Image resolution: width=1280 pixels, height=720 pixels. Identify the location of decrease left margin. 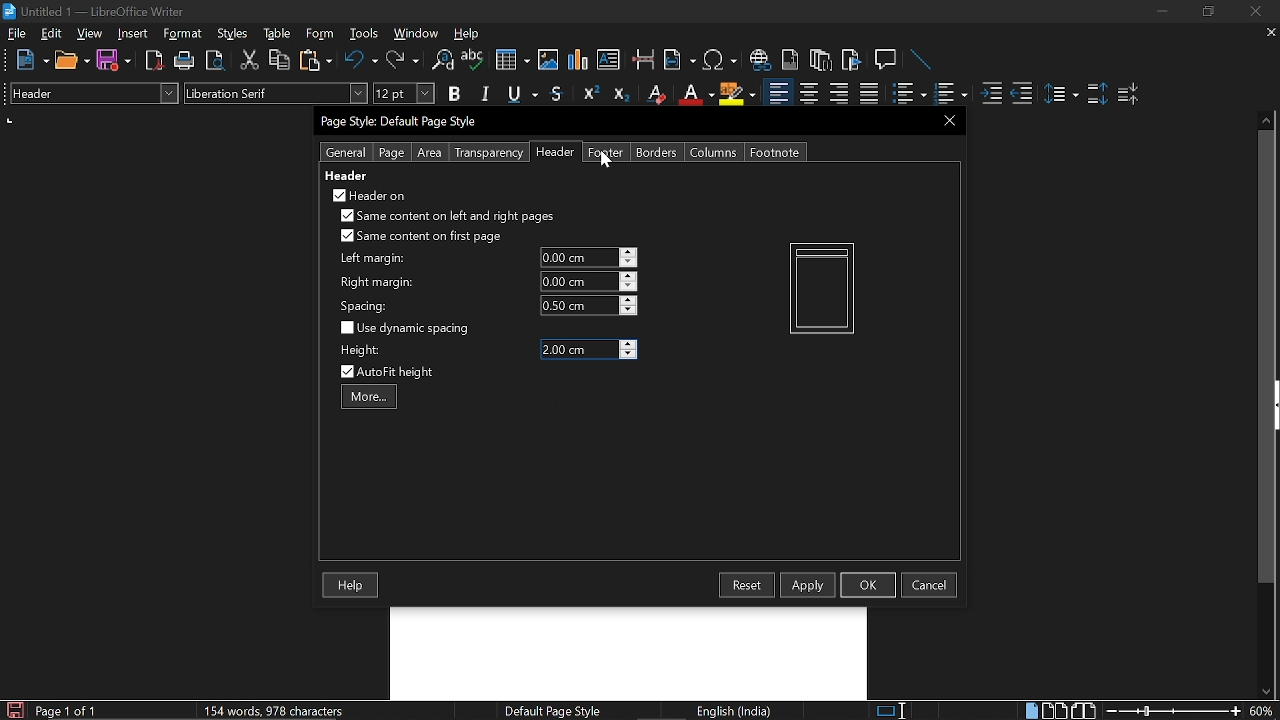
(629, 263).